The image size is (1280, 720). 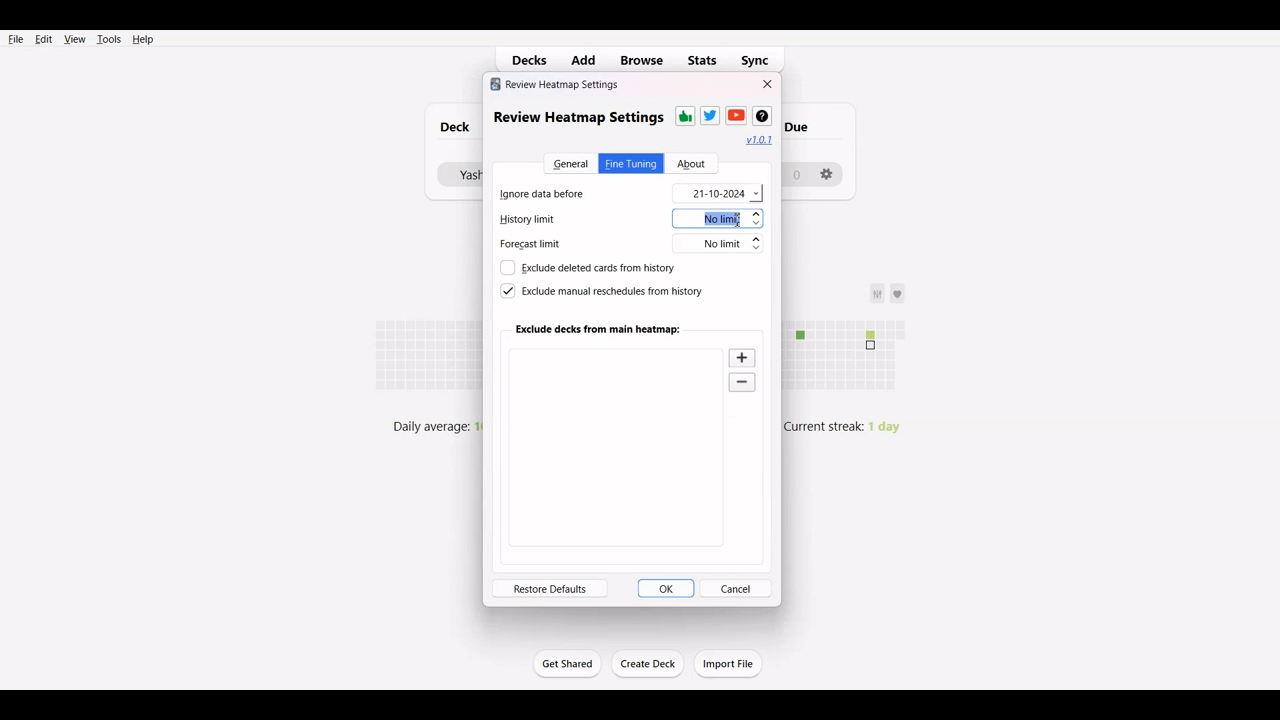 What do you see at coordinates (828, 169) in the screenshot?
I see `settings` at bounding box center [828, 169].